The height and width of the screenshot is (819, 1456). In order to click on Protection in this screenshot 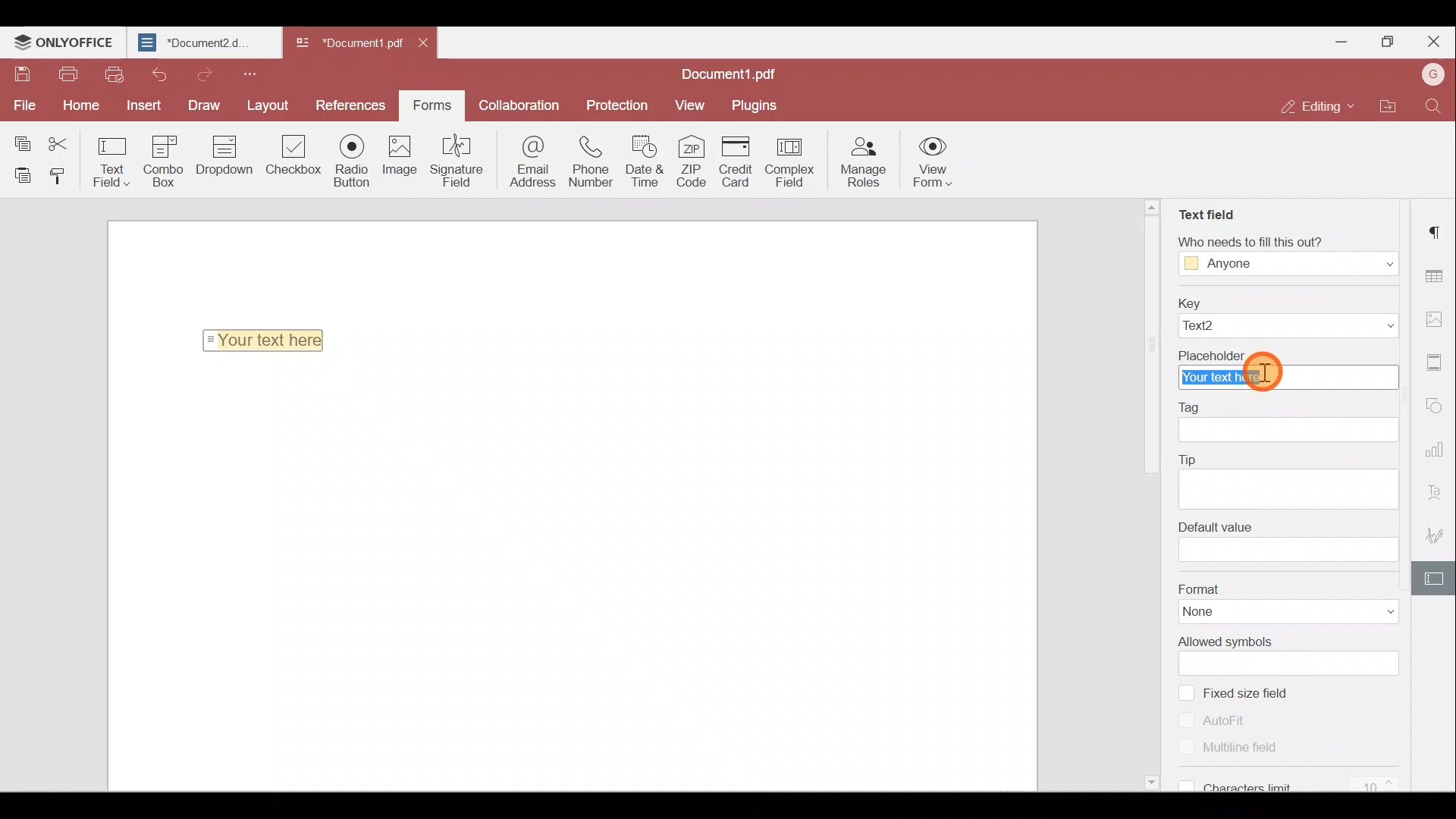, I will do `click(622, 104)`.